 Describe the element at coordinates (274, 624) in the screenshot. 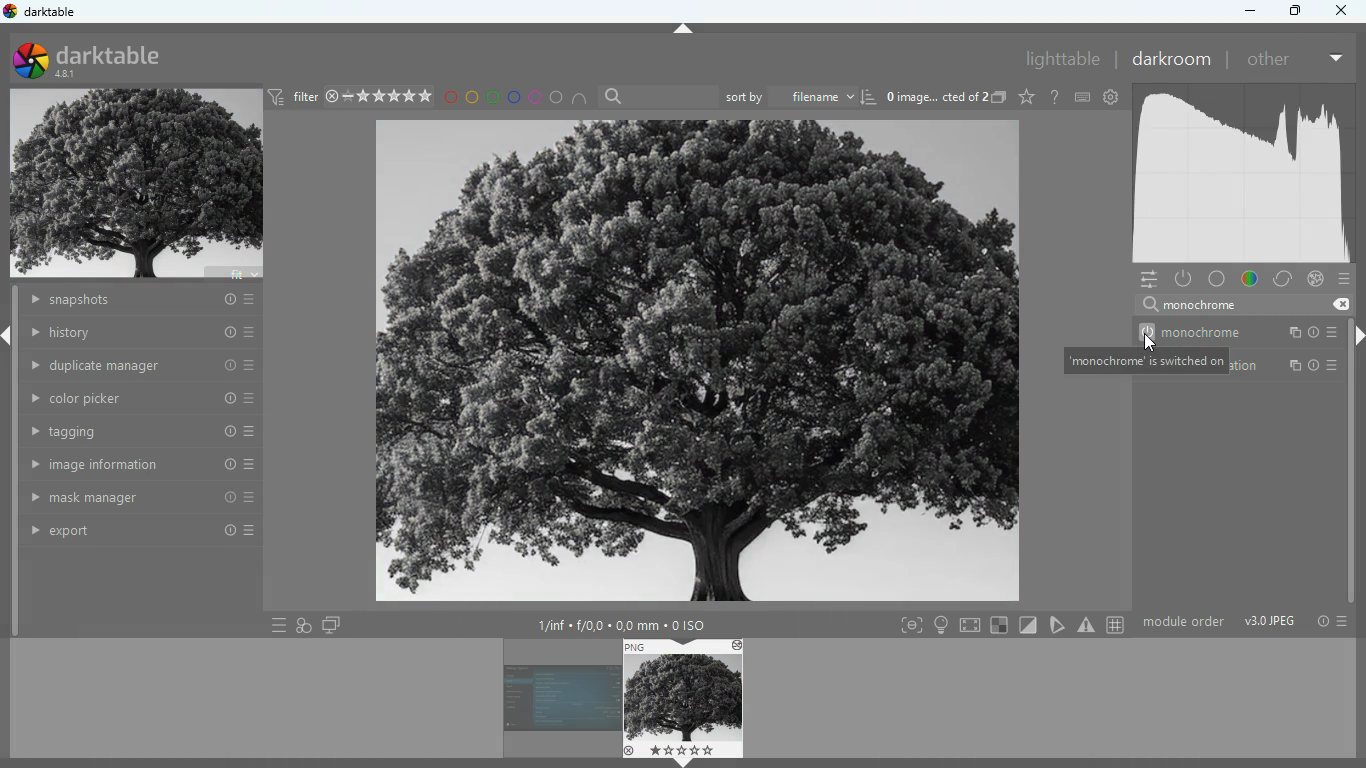

I see `menu` at that location.